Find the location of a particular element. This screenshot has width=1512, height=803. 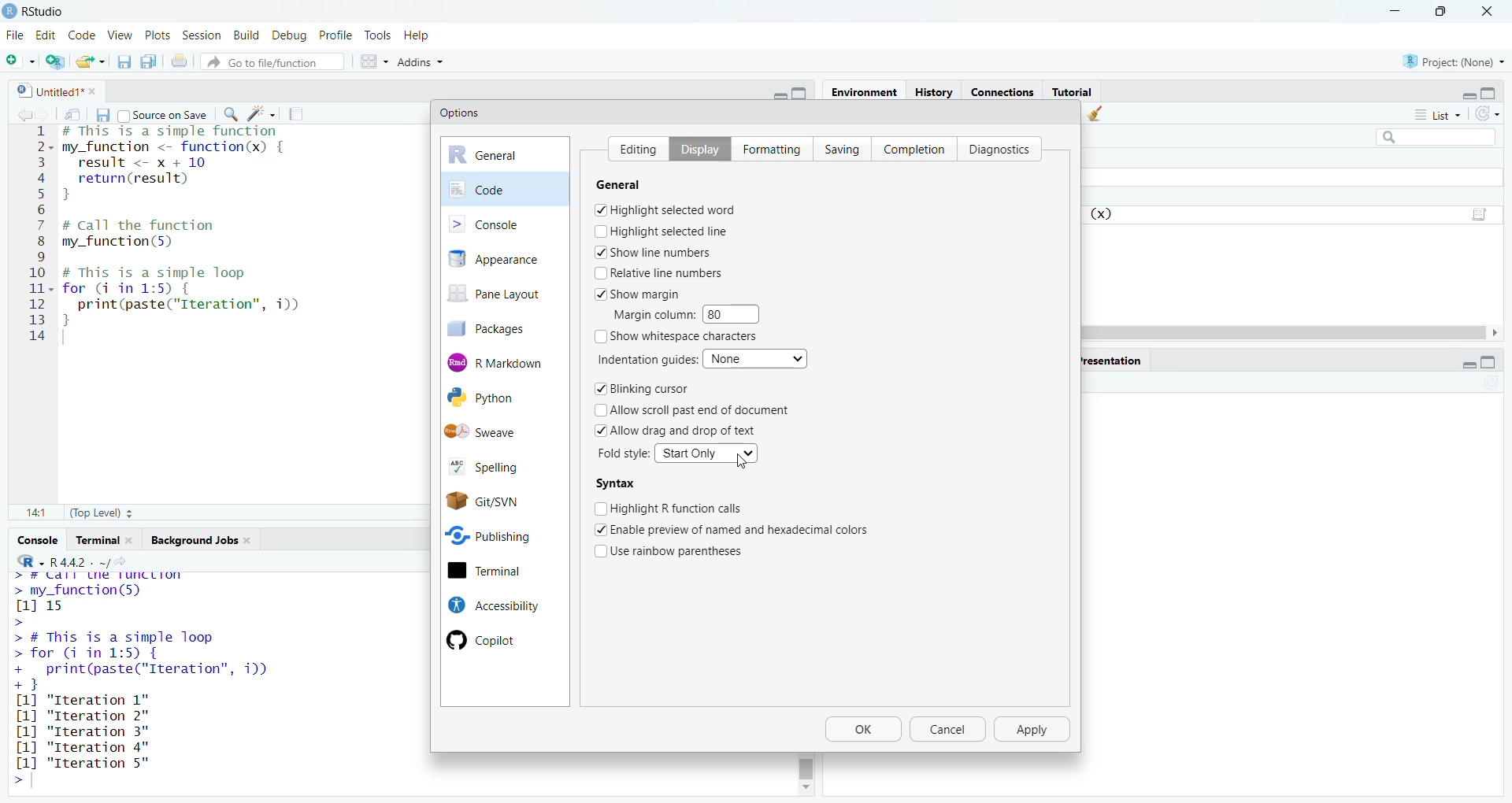

go forward to next source location is located at coordinates (46, 113).